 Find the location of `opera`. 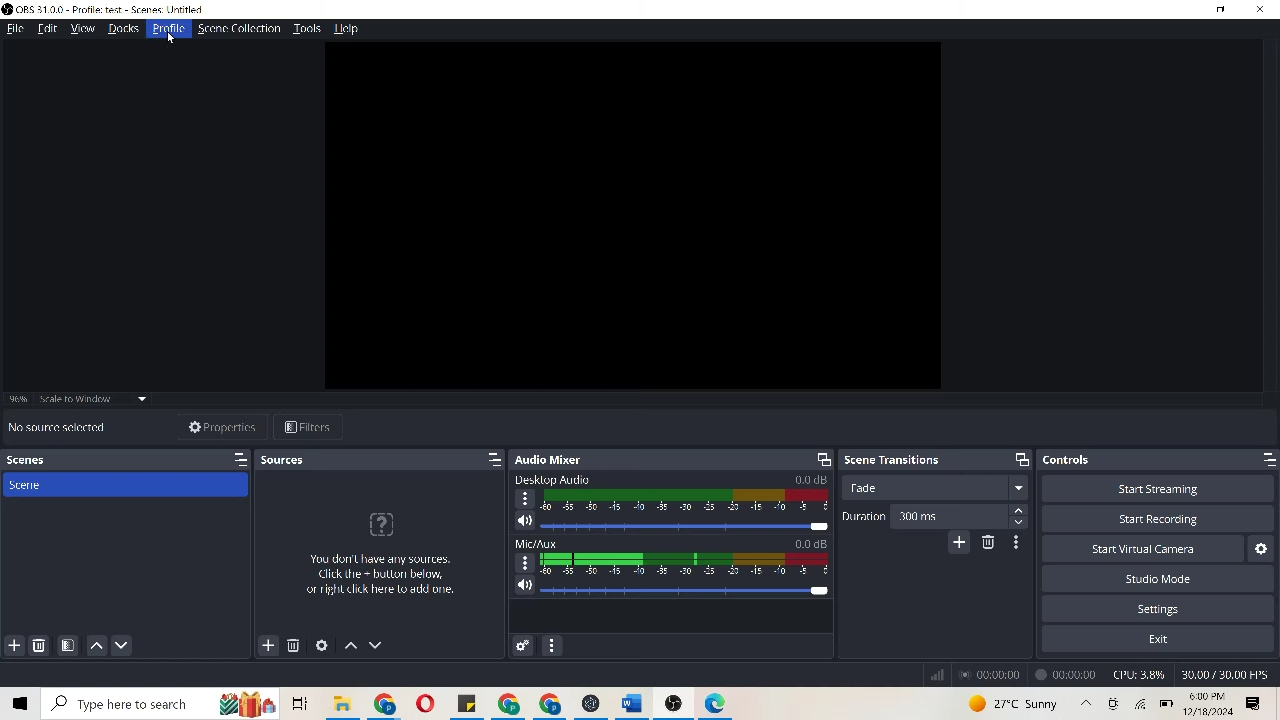

opera is located at coordinates (430, 704).